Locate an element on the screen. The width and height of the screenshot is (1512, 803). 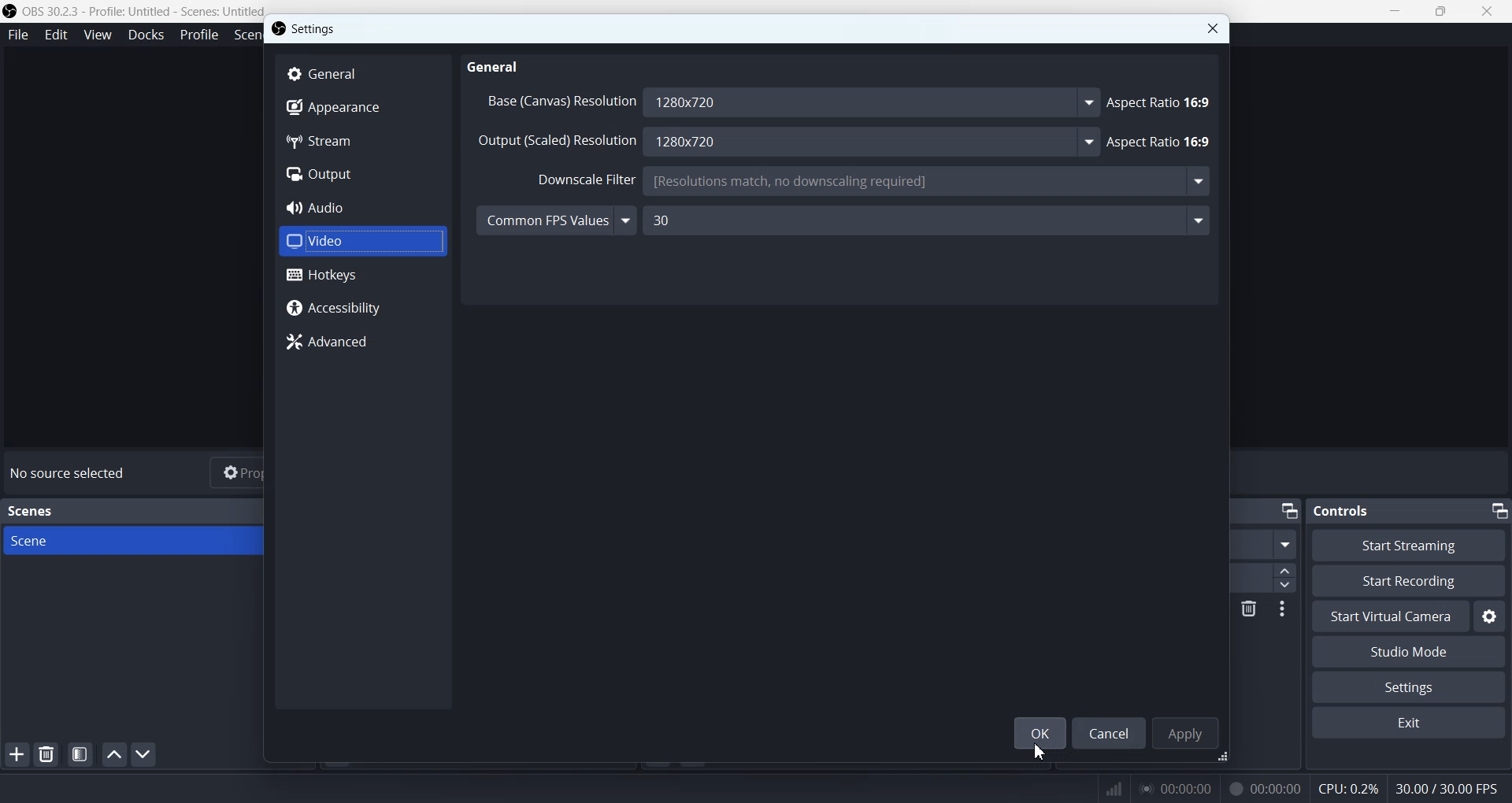
Output is located at coordinates (361, 173).